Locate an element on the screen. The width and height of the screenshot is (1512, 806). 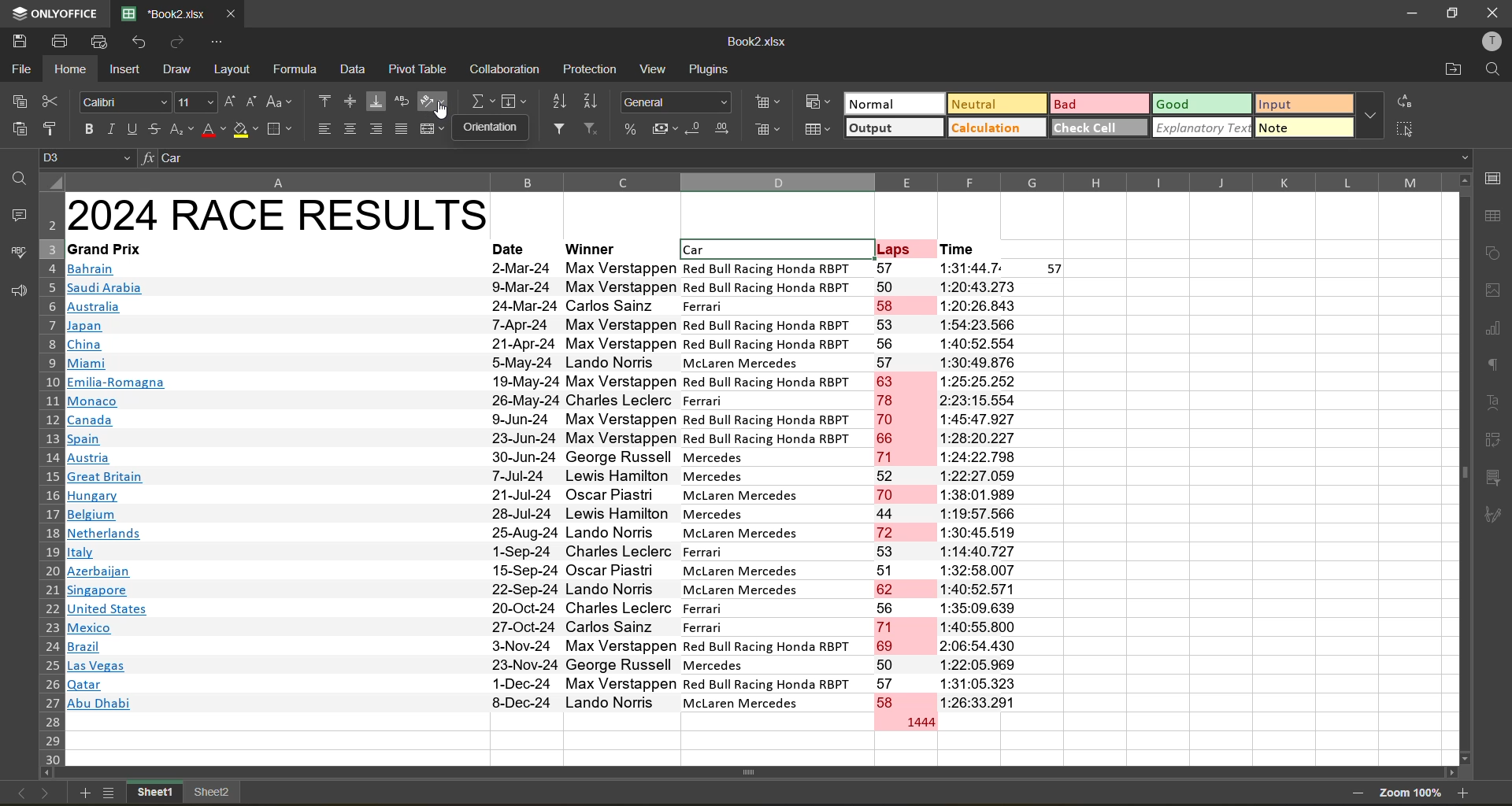
align top is located at coordinates (322, 101).